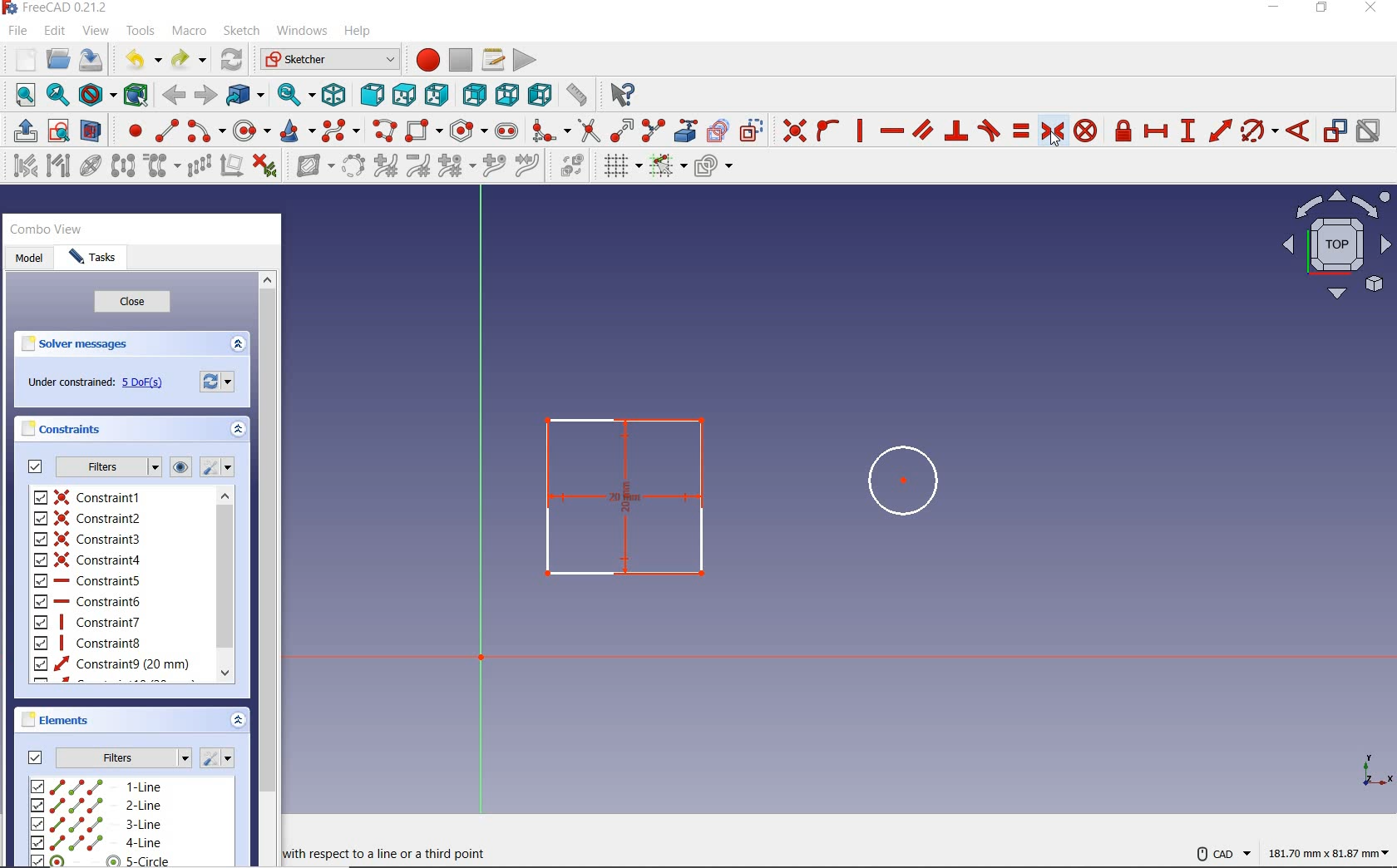 The width and height of the screenshot is (1397, 868). I want to click on create slot, so click(510, 133).